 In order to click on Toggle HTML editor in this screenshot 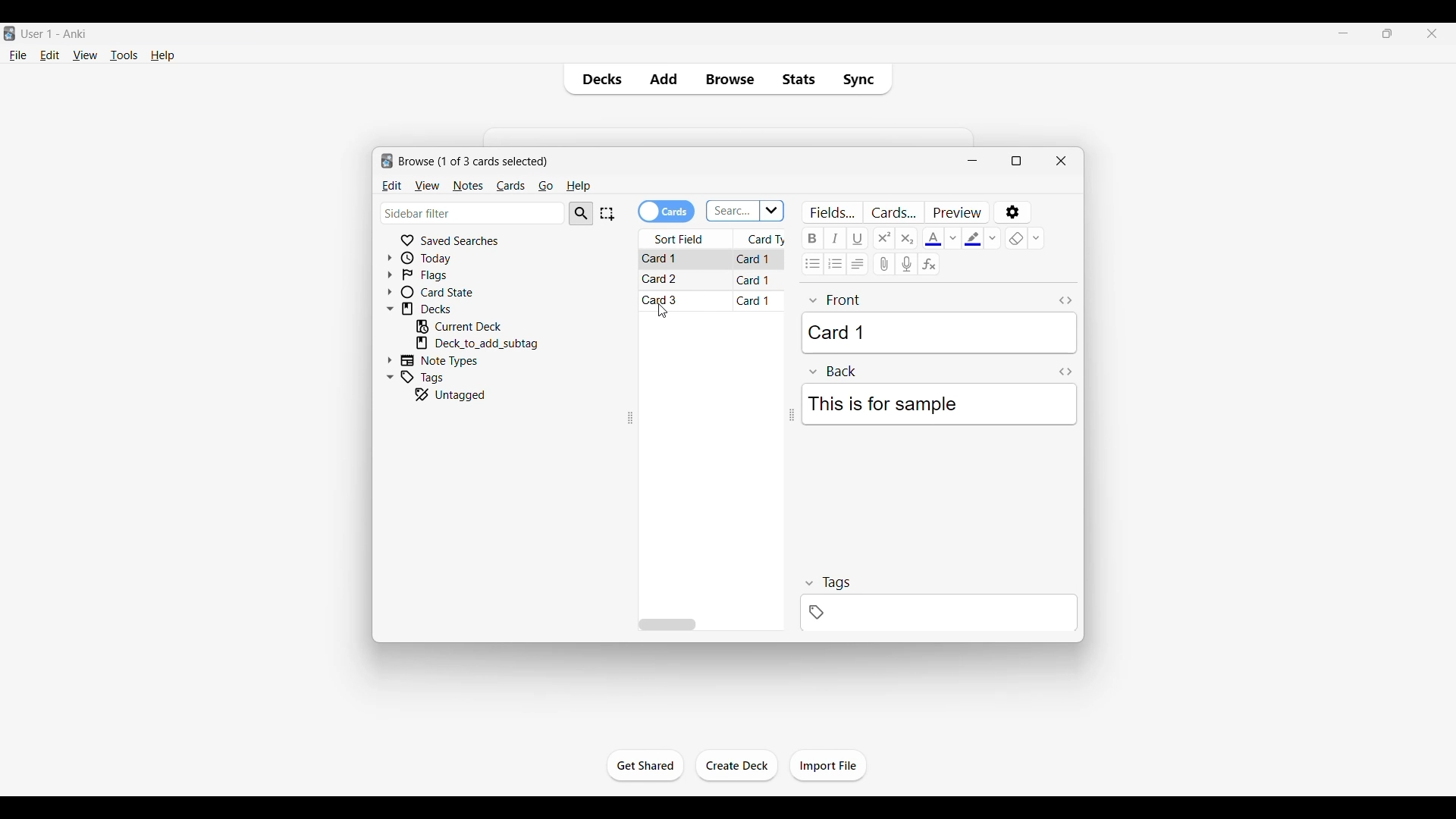, I will do `click(1065, 301)`.